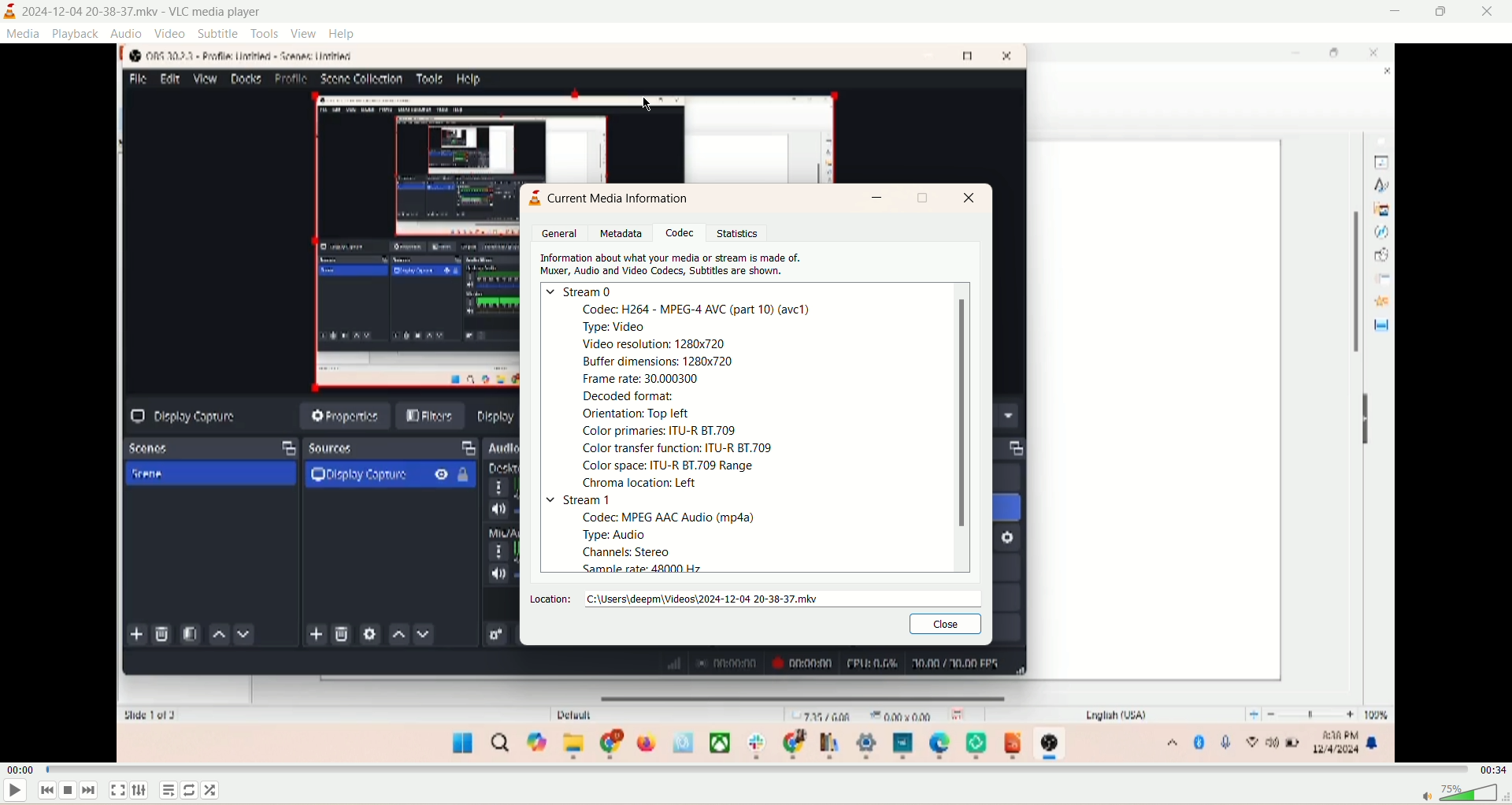 The width and height of the screenshot is (1512, 805). Describe the element at coordinates (116, 792) in the screenshot. I see `full screen` at that location.